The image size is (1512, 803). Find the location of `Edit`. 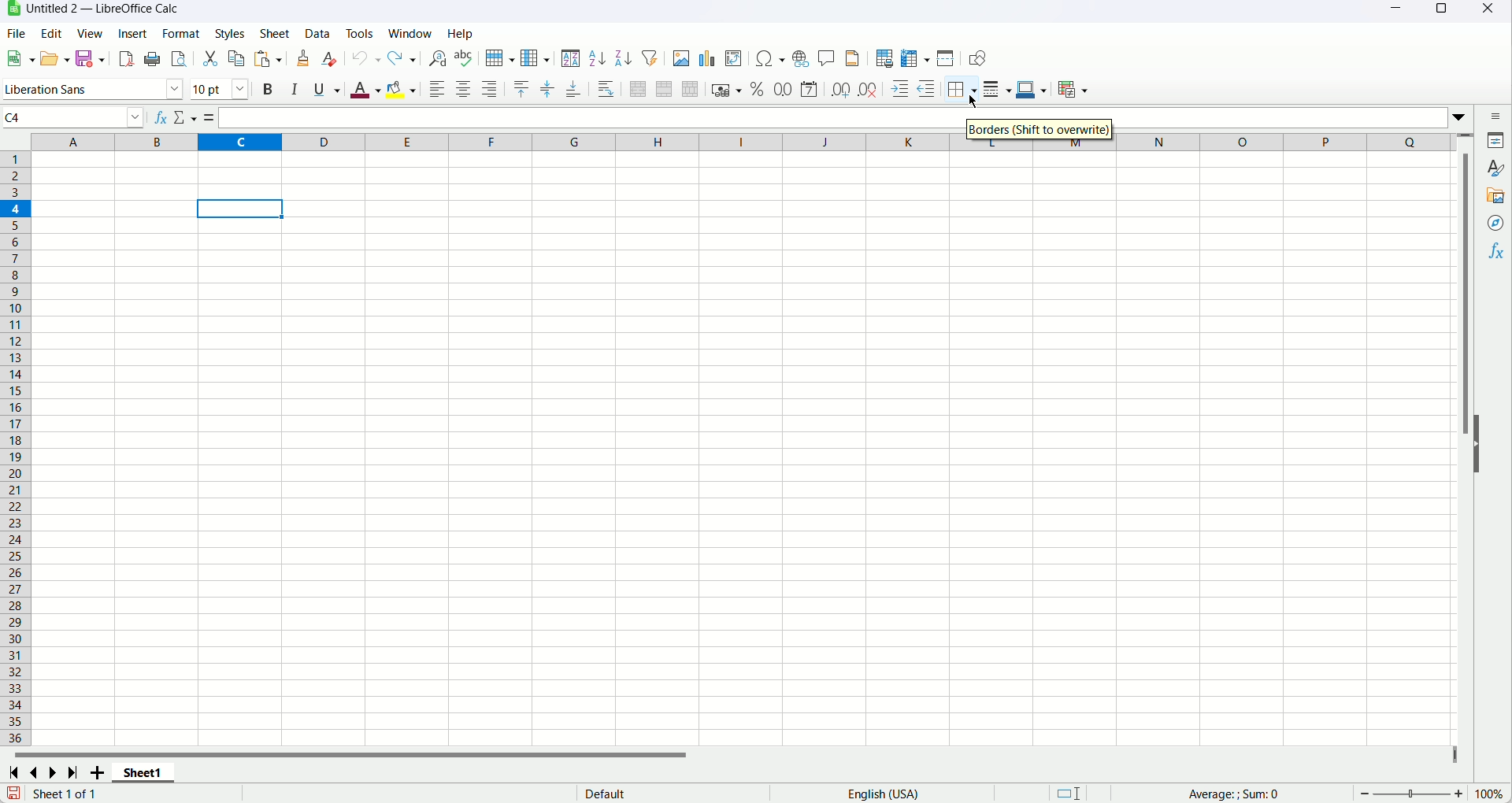

Edit is located at coordinates (50, 32).